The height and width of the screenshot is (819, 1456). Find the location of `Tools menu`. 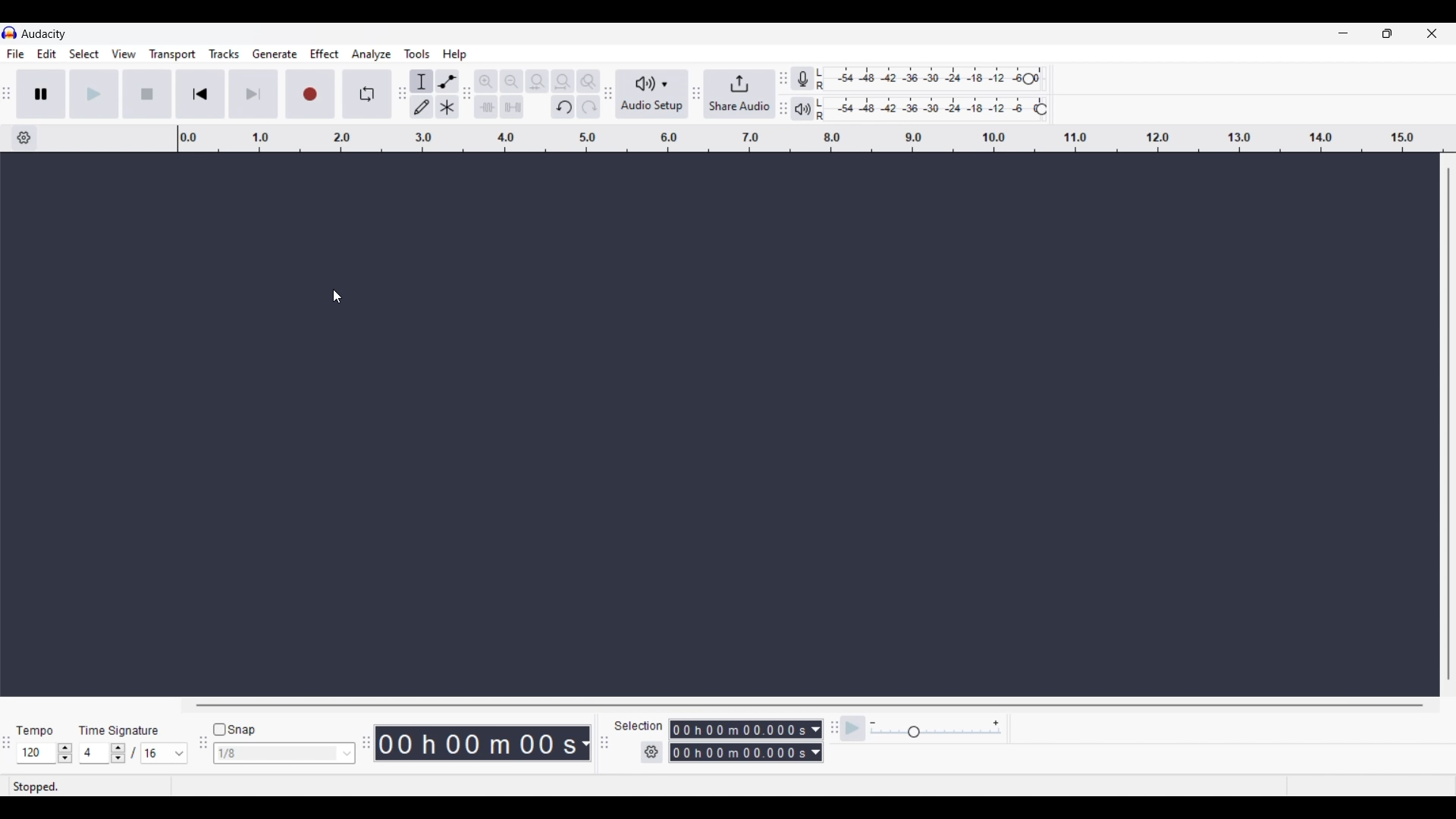

Tools menu is located at coordinates (417, 54).